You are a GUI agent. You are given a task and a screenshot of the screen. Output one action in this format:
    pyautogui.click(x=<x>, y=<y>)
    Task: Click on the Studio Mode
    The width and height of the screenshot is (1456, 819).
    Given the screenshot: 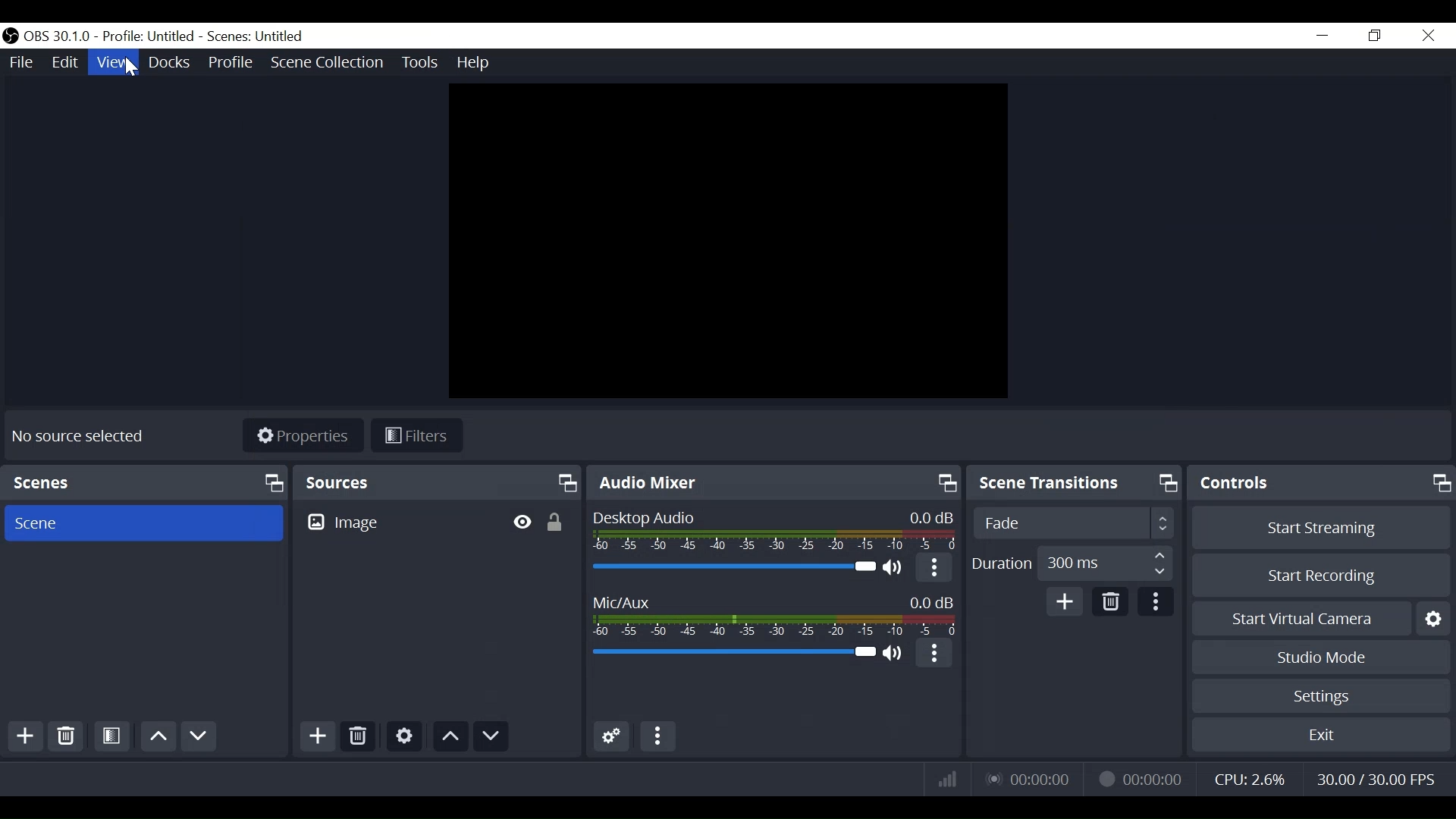 What is the action you would take?
    pyautogui.click(x=1323, y=659)
    